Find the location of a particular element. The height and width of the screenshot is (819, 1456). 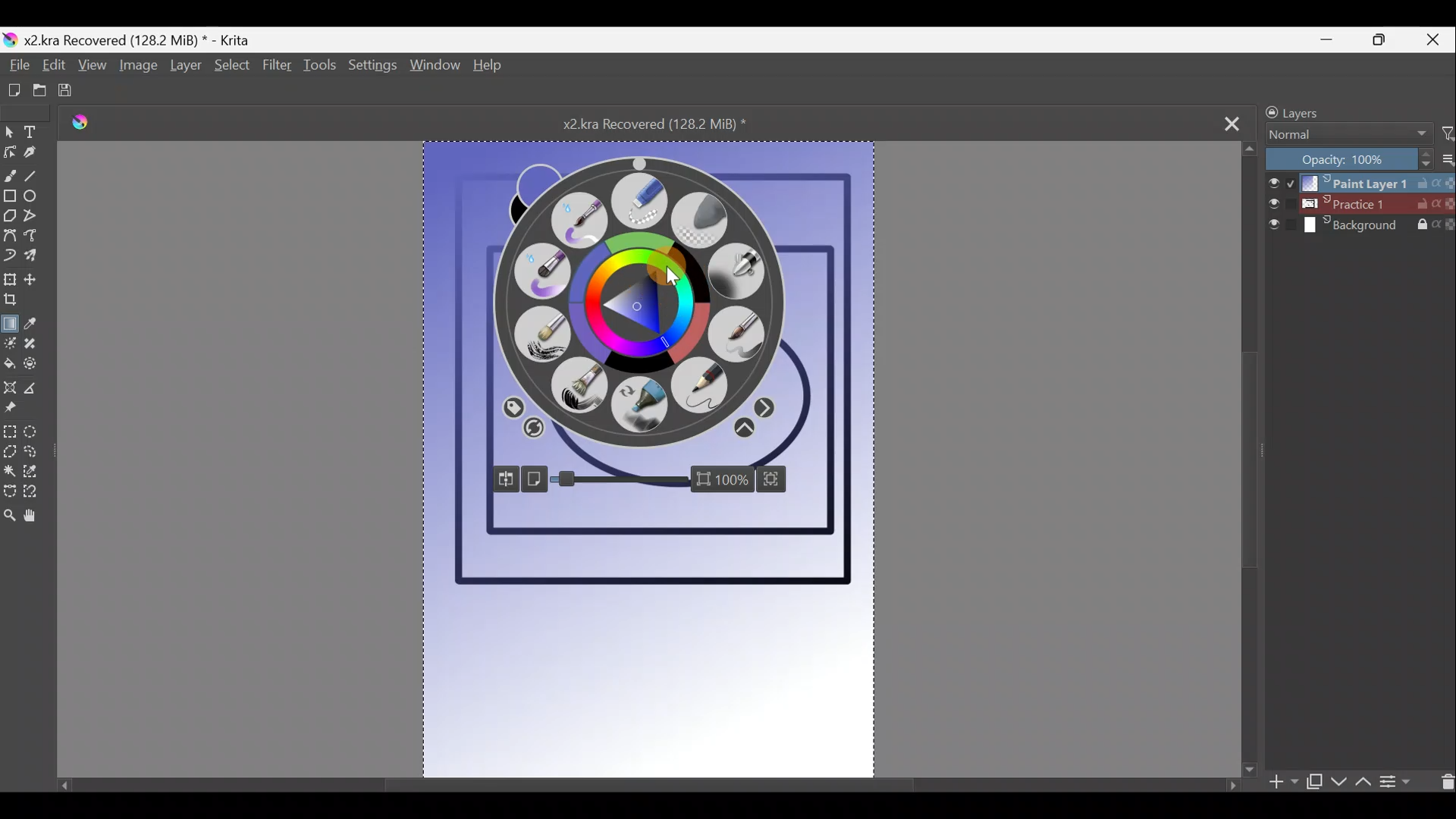

Document name is located at coordinates (132, 39).